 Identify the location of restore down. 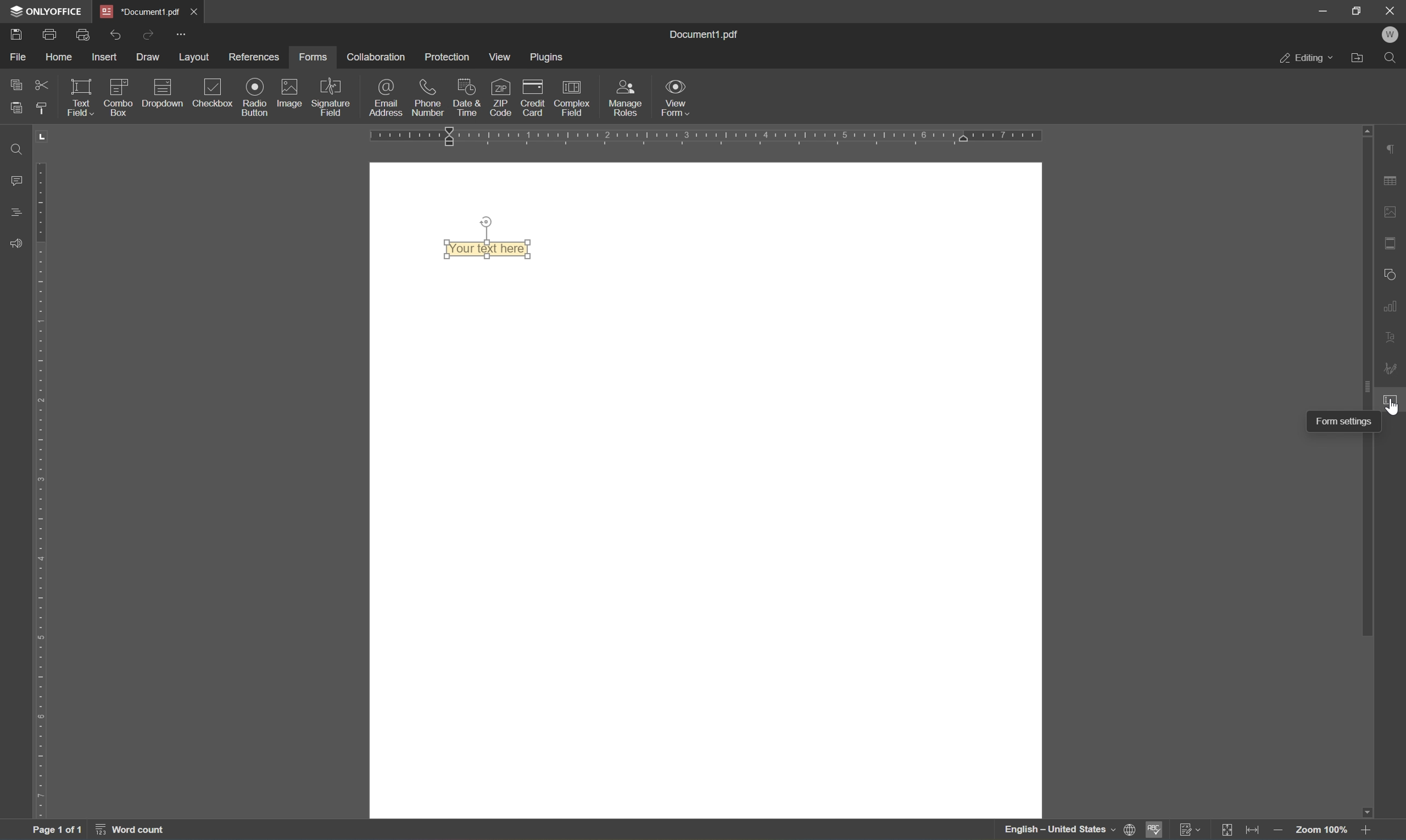
(1355, 11).